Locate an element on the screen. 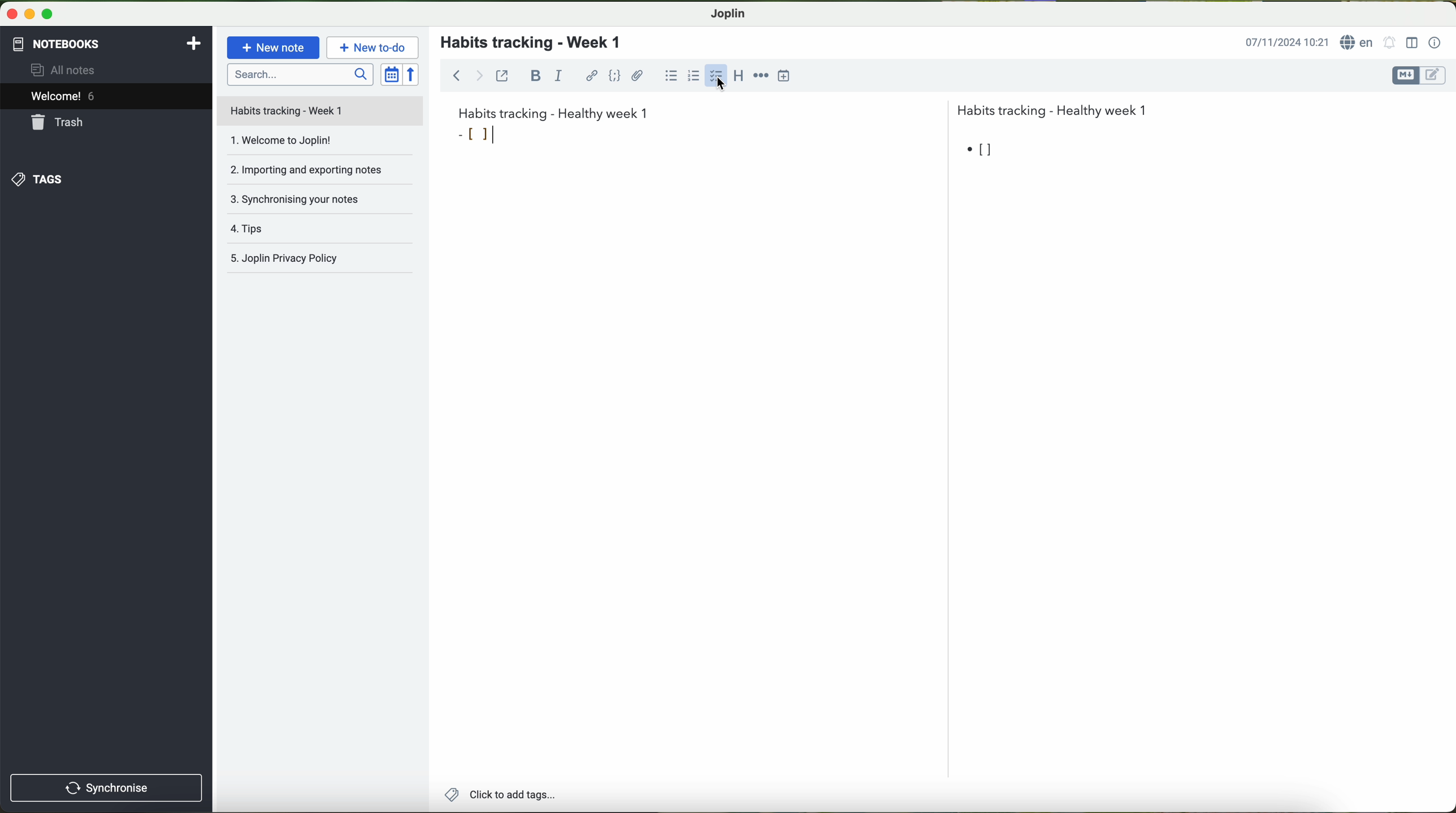  language is located at coordinates (1358, 42).